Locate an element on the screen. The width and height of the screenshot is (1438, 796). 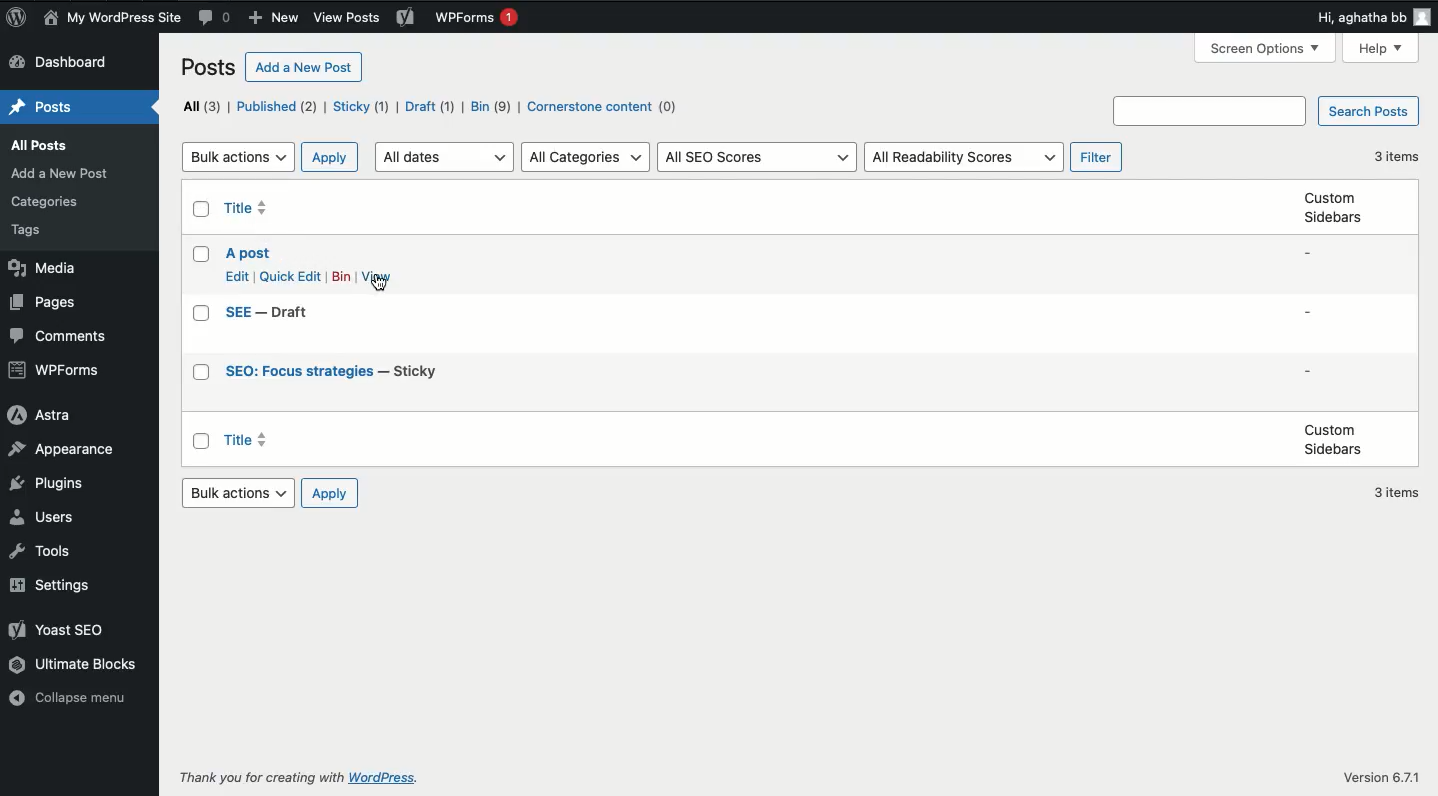
3 items is located at coordinates (1400, 325).